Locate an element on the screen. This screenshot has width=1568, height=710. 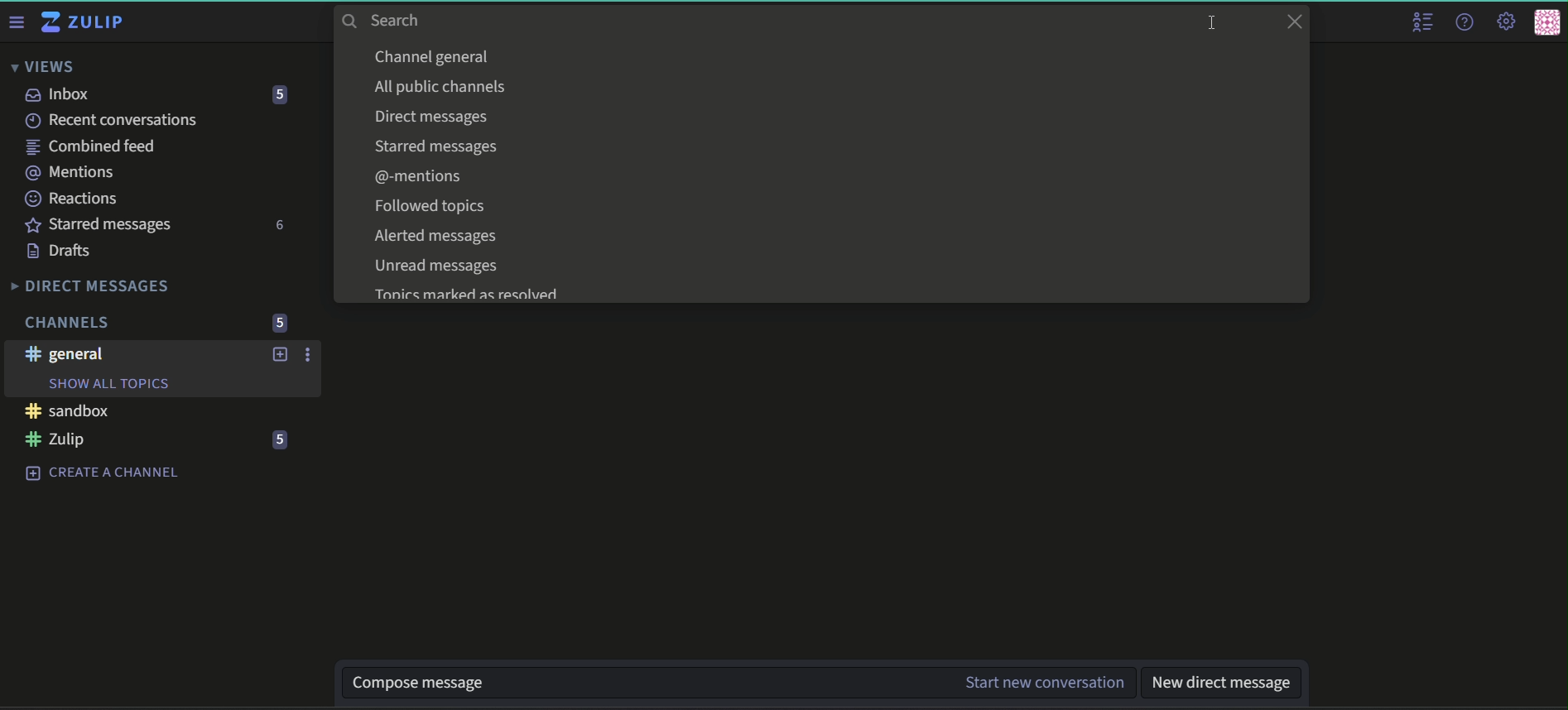
main menu is located at coordinates (1508, 19).